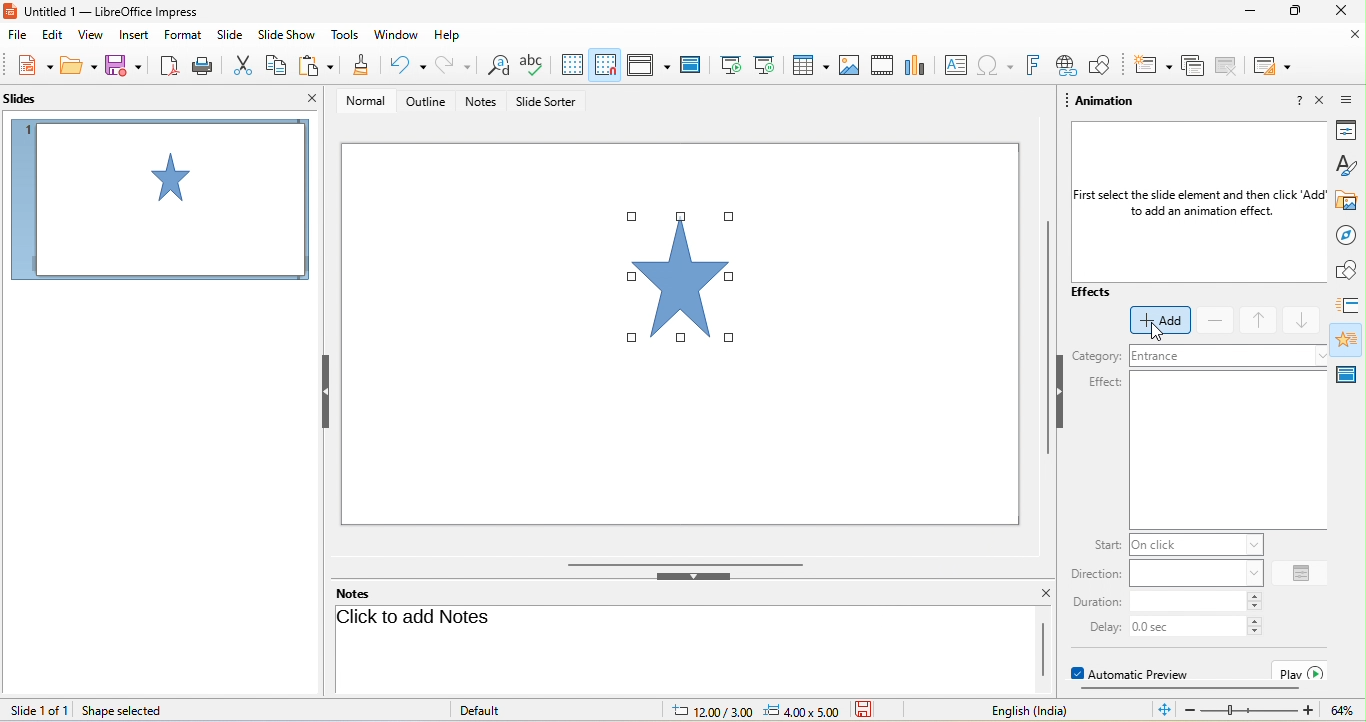 The height and width of the screenshot is (722, 1366). I want to click on help, so click(1299, 99).